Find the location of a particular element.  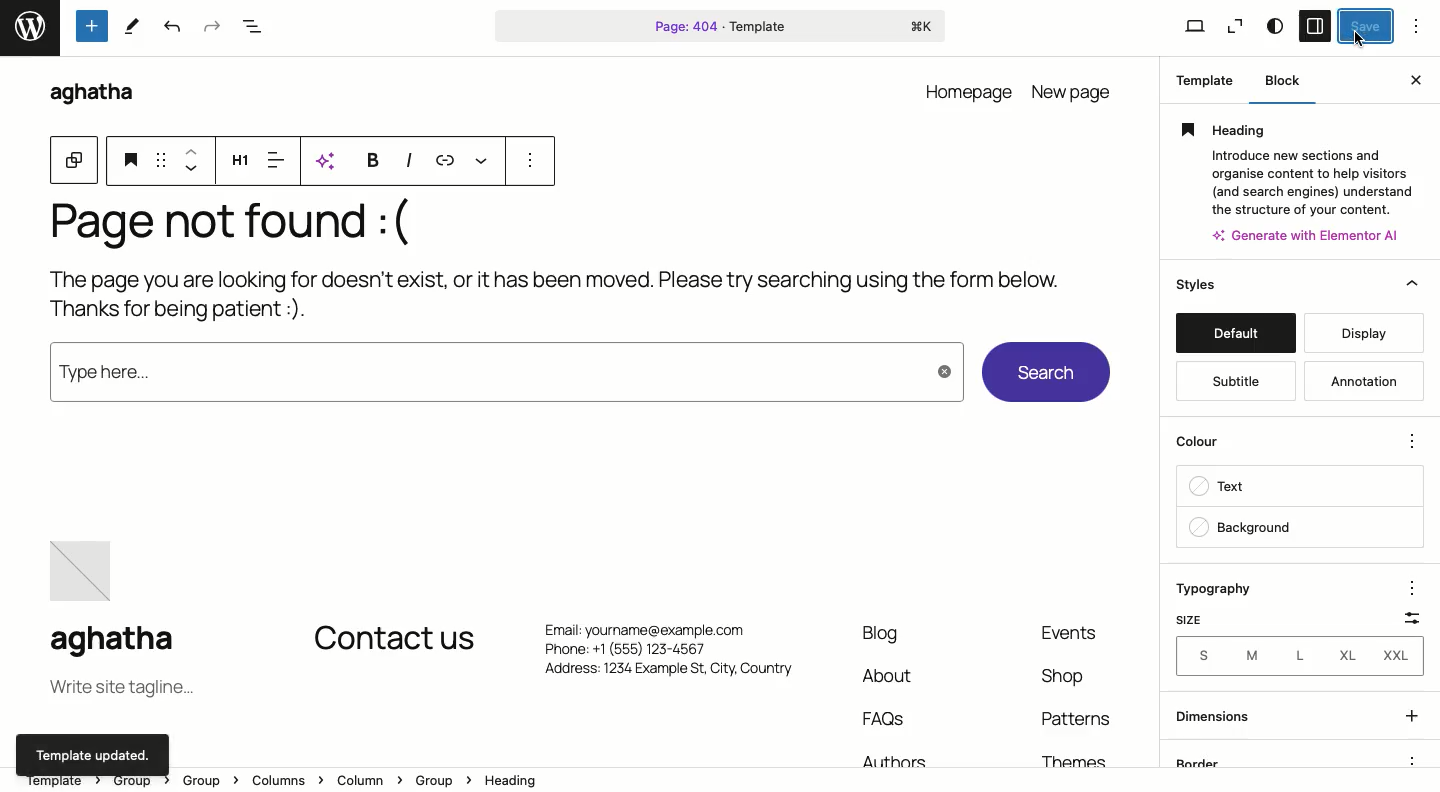

Block is located at coordinates (75, 158).